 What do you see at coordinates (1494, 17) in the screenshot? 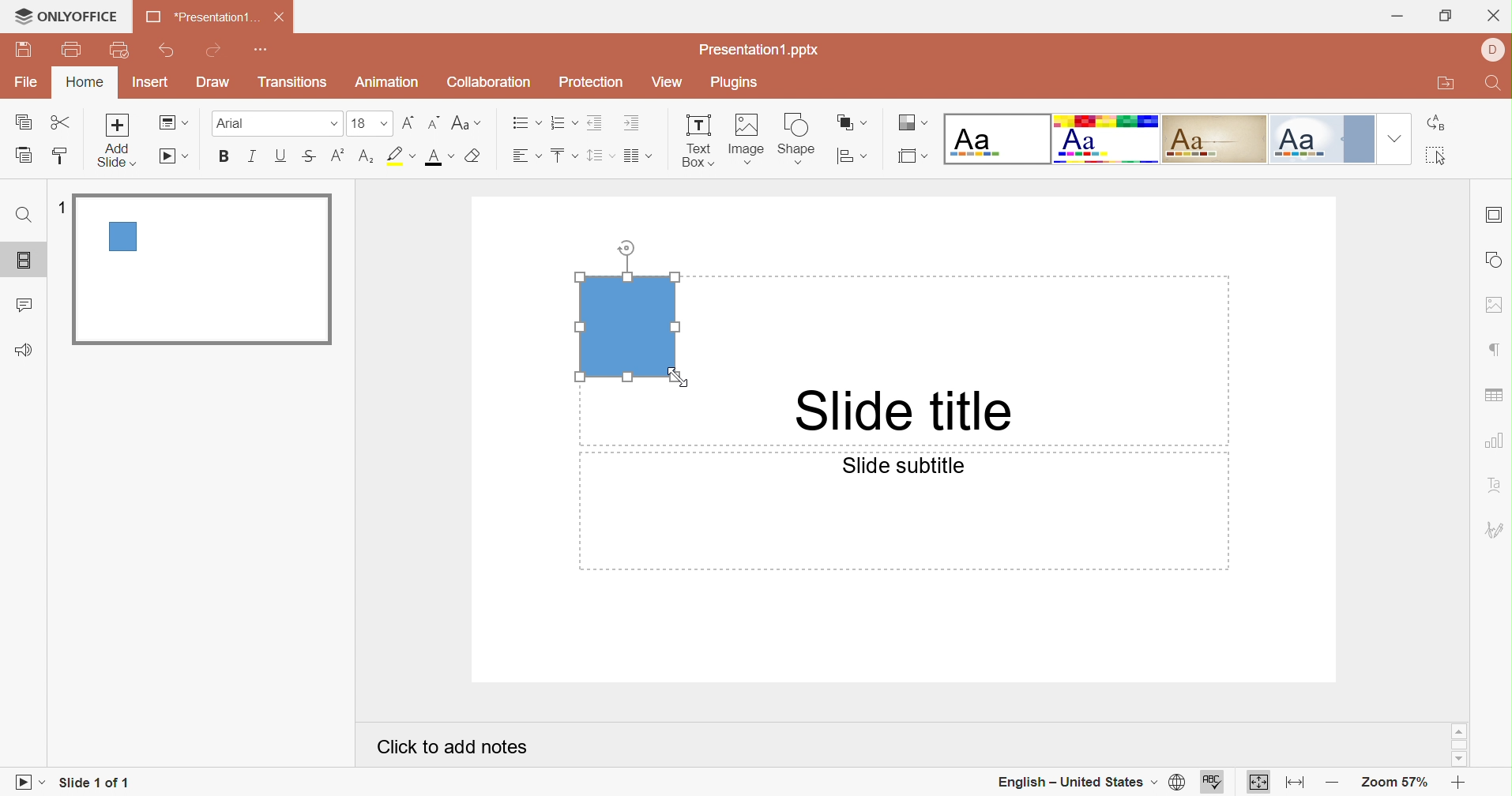
I see `Close` at bounding box center [1494, 17].